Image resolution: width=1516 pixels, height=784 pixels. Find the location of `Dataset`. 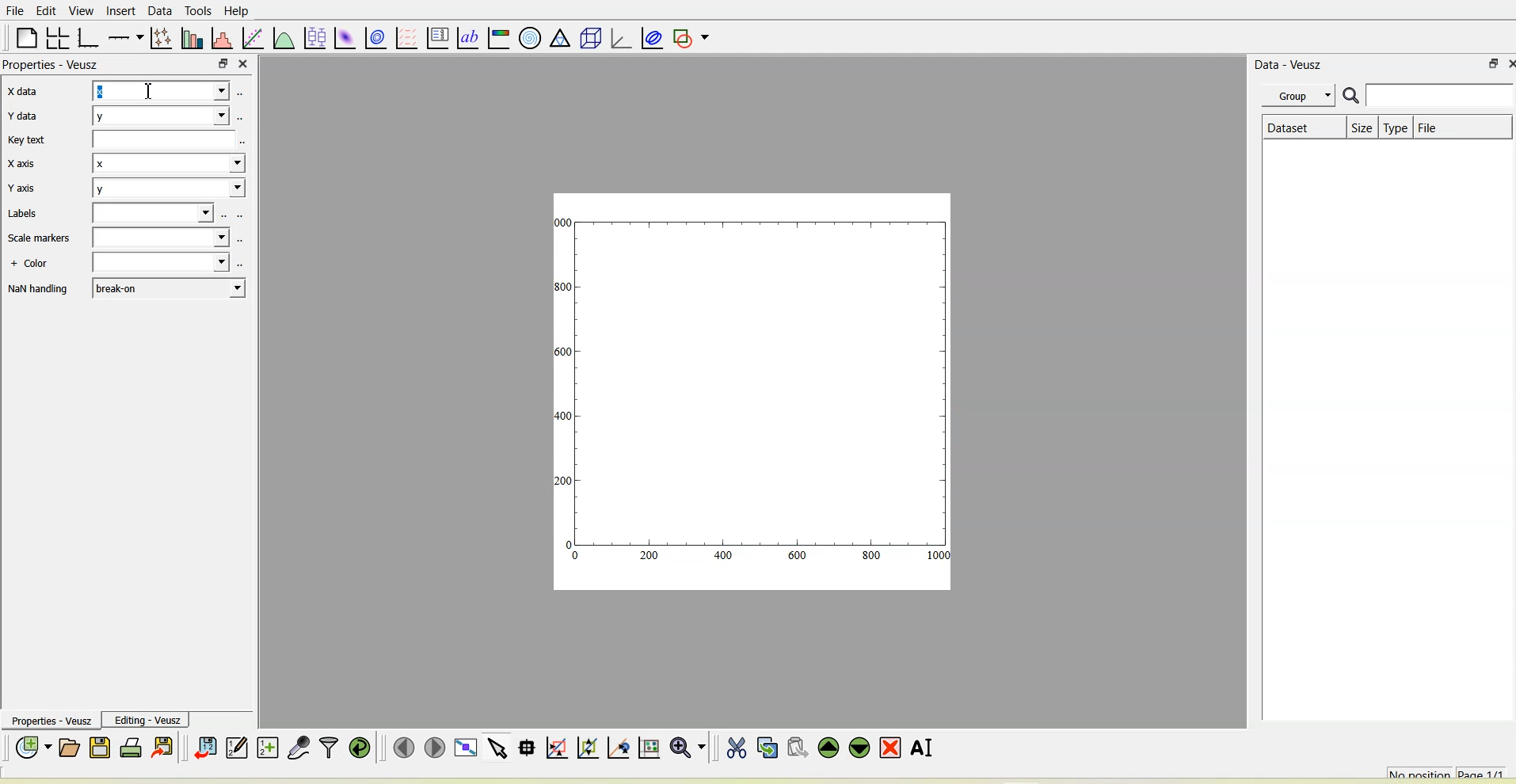

Dataset is located at coordinates (1304, 126).